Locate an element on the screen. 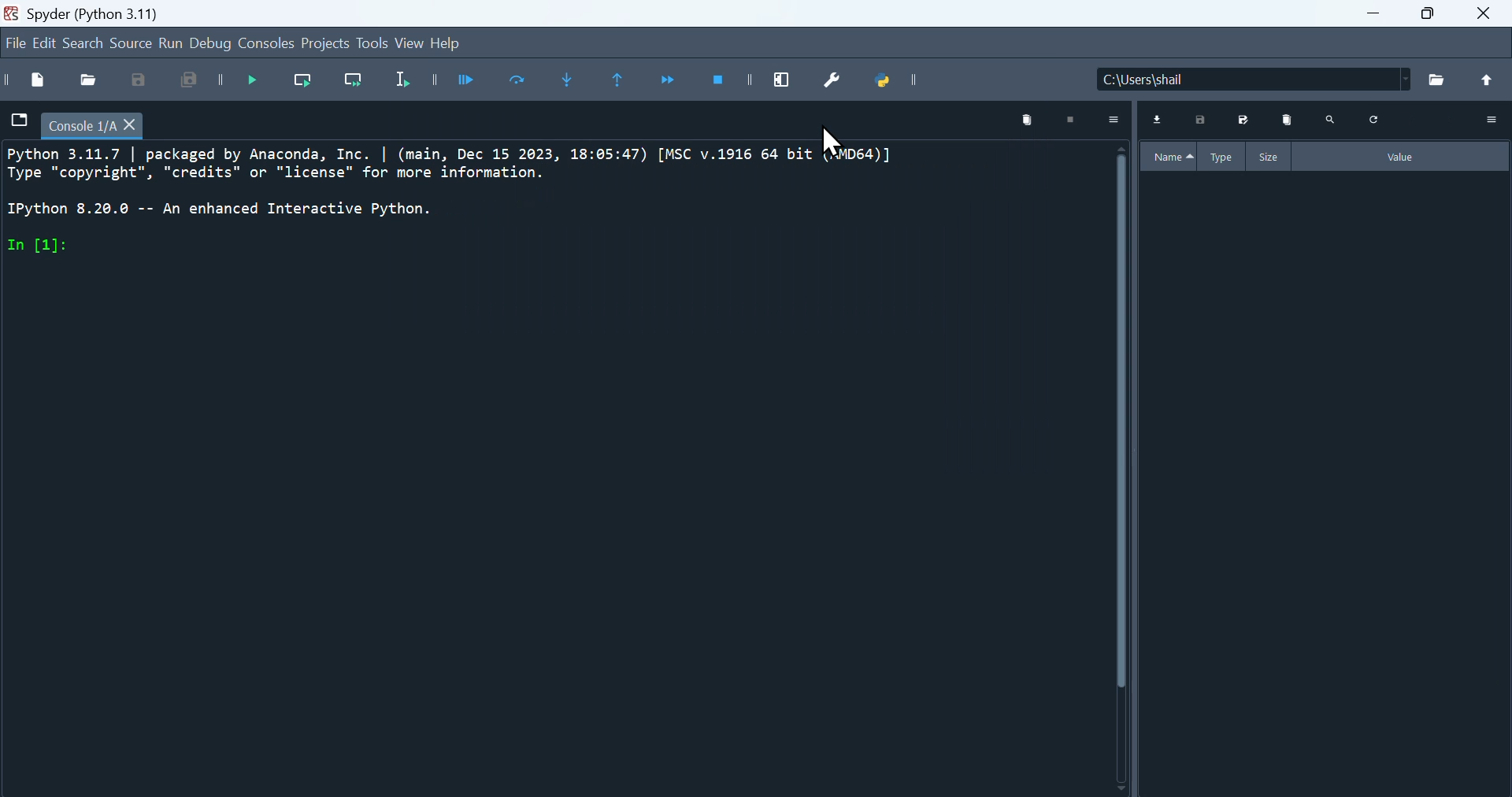 This screenshot has width=1512, height=797. Console is located at coordinates (269, 45).